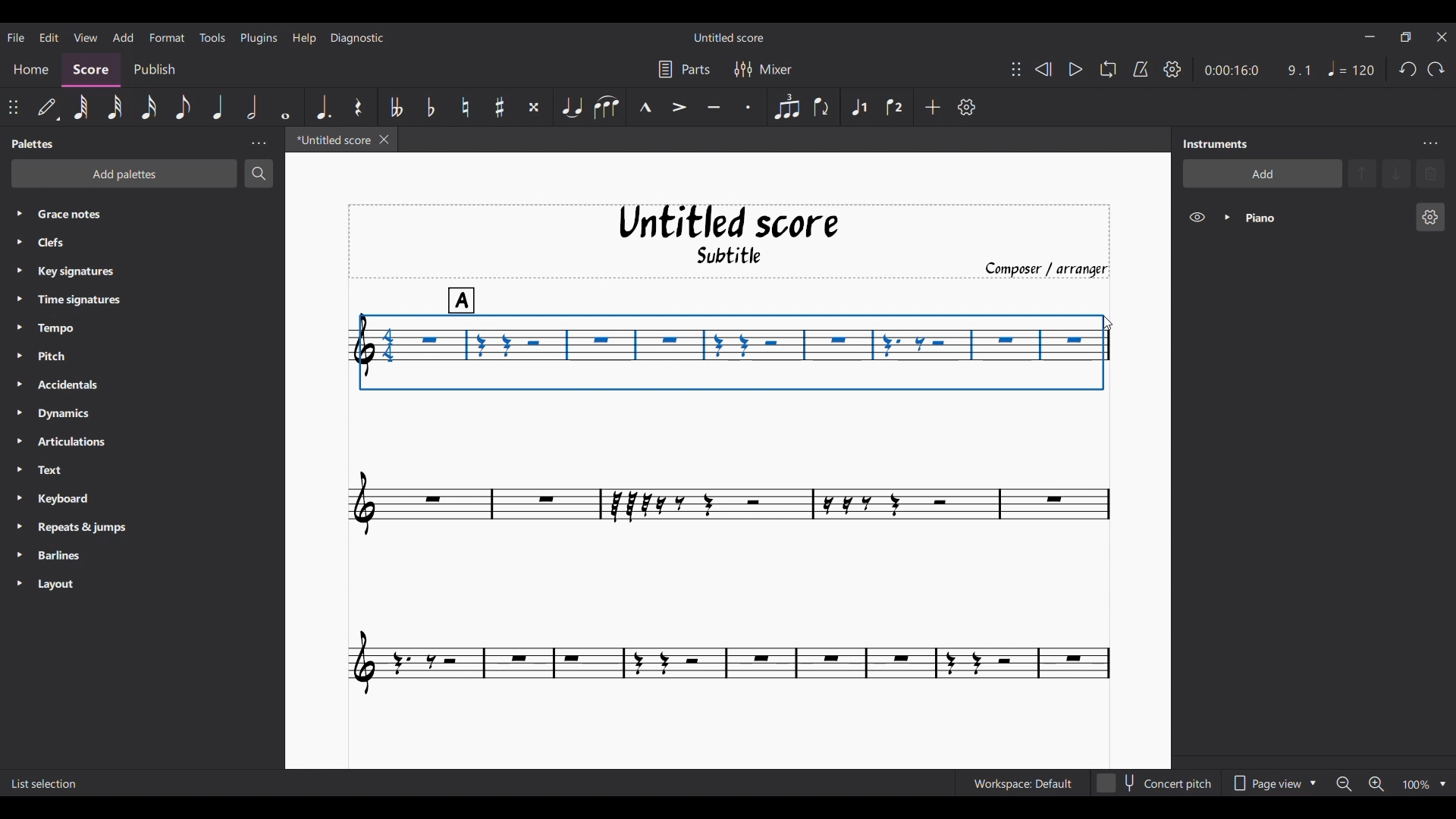 The image size is (1456, 819). Describe the element at coordinates (285, 107) in the screenshot. I see `Whole note` at that location.